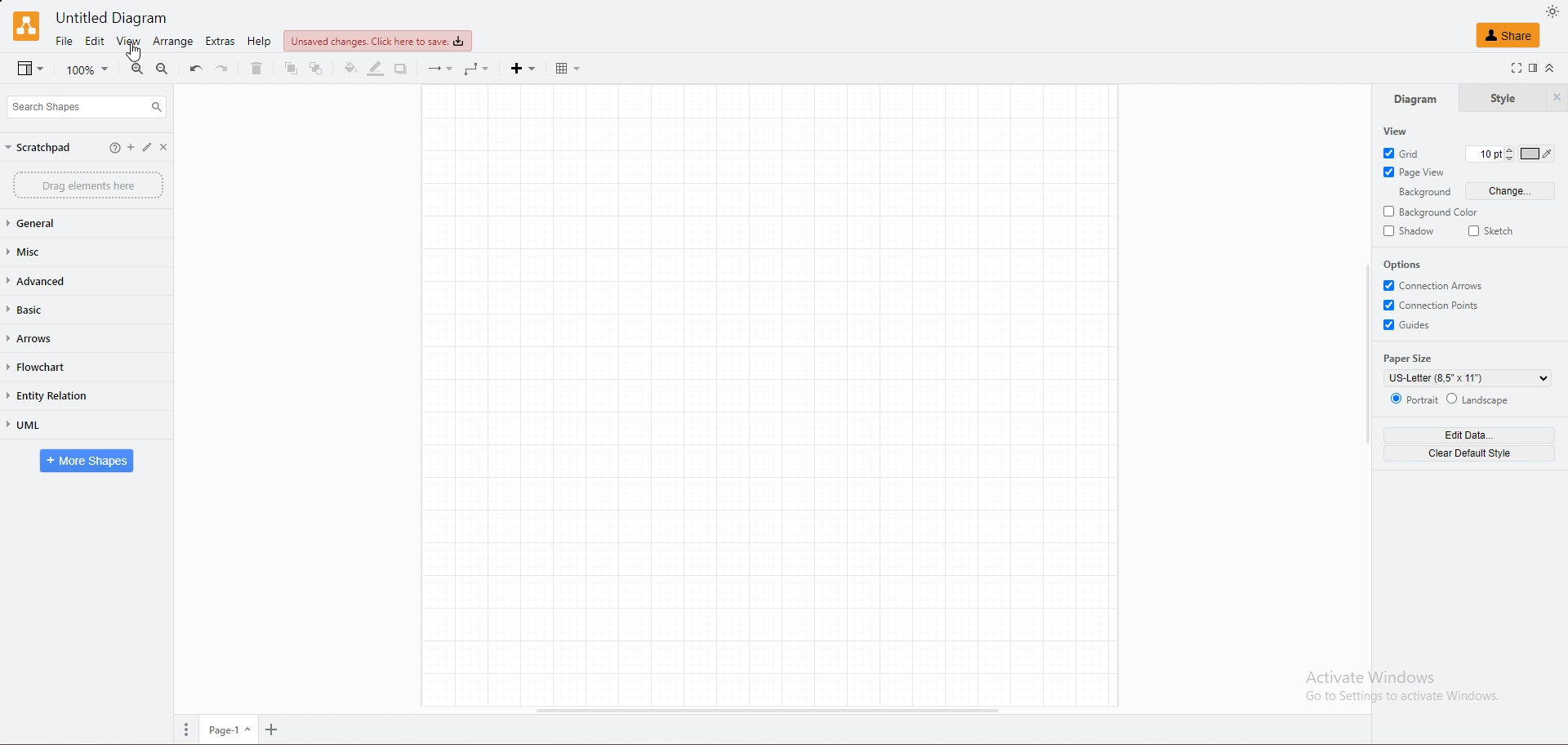 Image resolution: width=1568 pixels, height=745 pixels. I want to click on cursor, so click(131, 52).